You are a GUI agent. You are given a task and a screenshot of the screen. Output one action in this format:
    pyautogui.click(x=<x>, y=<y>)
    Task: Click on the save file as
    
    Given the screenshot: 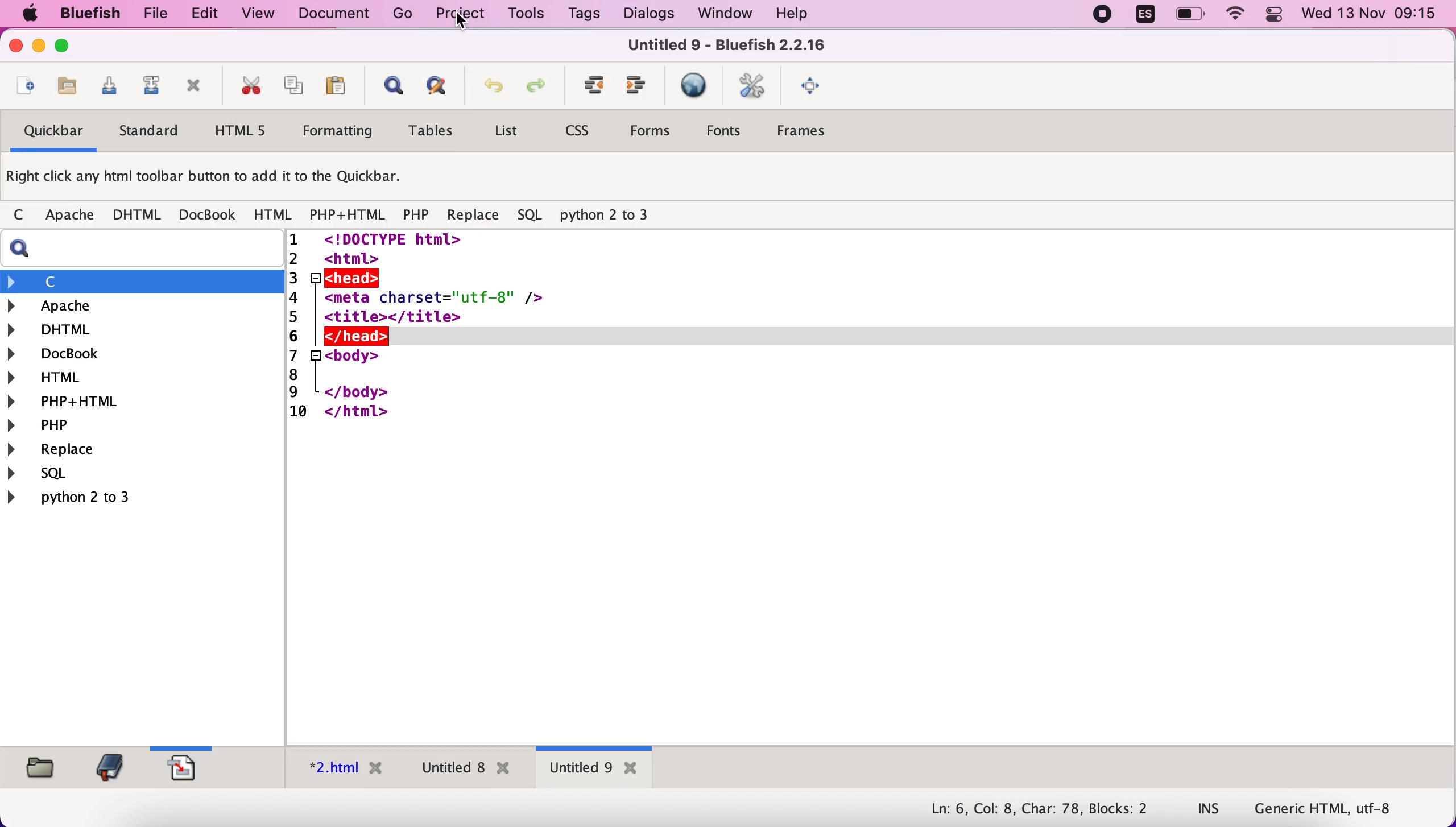 What is the action you would take?
    pyautogui.click(x=148, y=89)
    